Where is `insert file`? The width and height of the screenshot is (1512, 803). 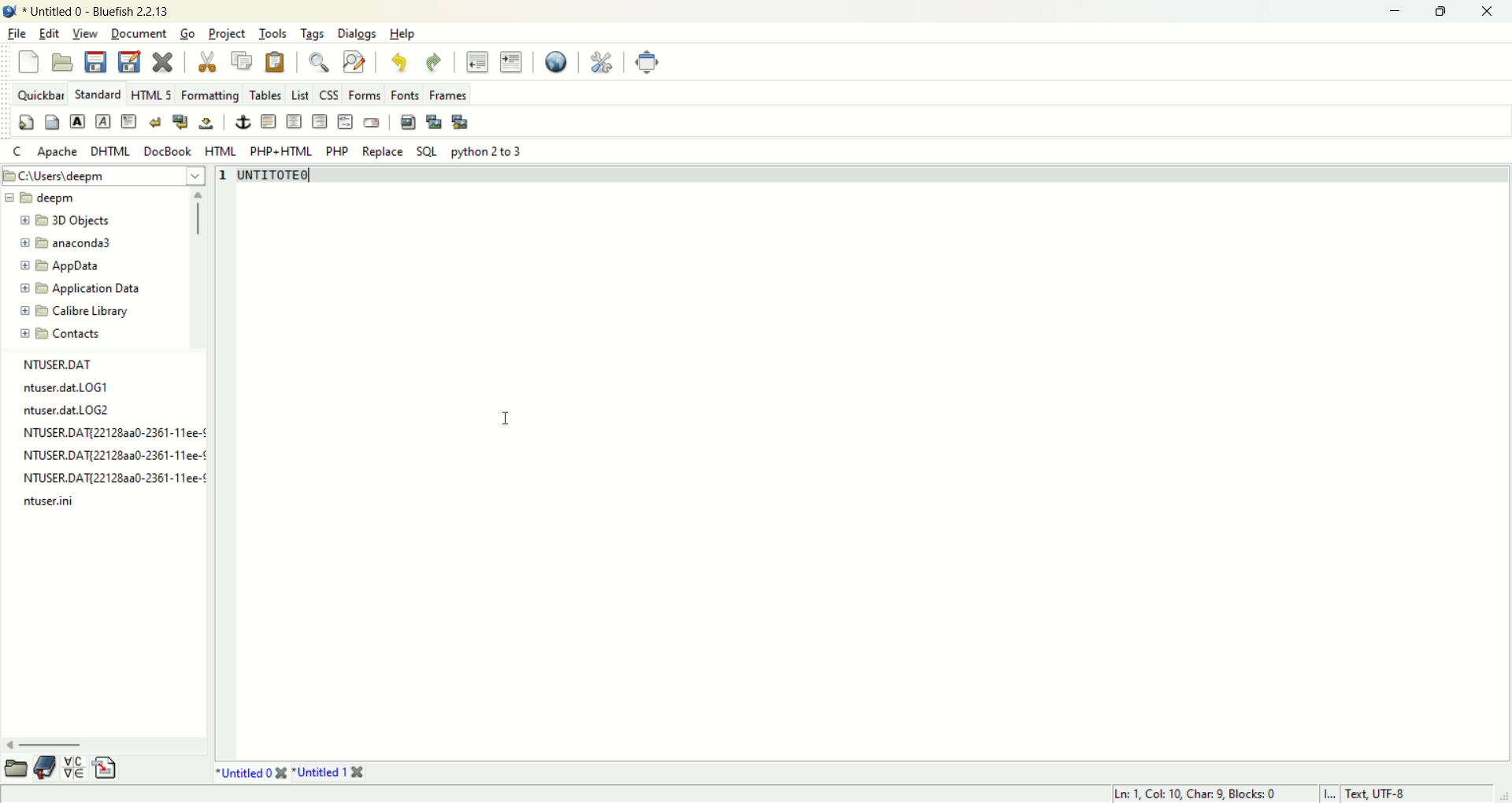
insert file is located at coordinates (106, 768).